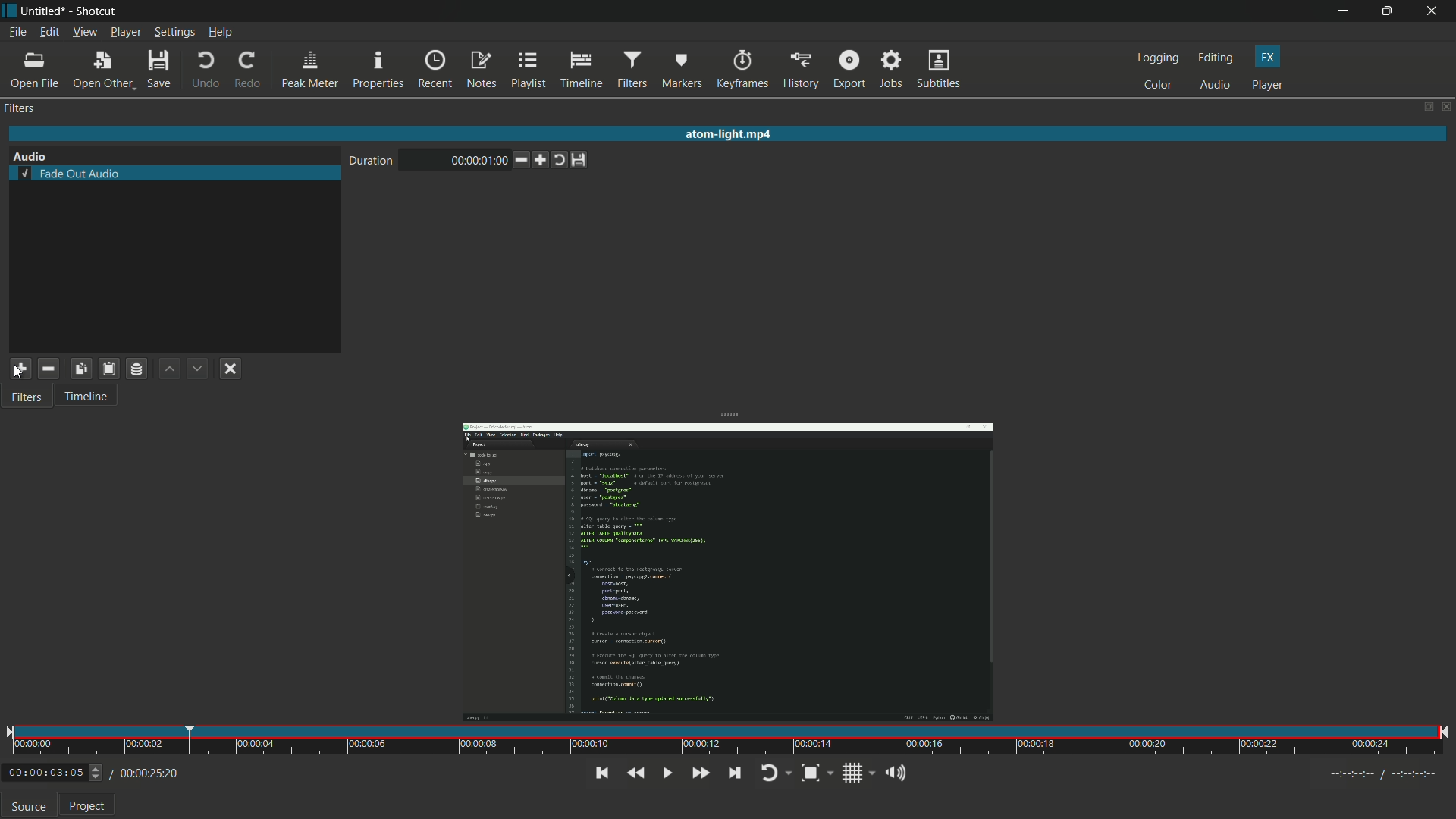 The width and height of the screenshot is (1456, 819). I want to click on deselect the filter, so click(231, 370).